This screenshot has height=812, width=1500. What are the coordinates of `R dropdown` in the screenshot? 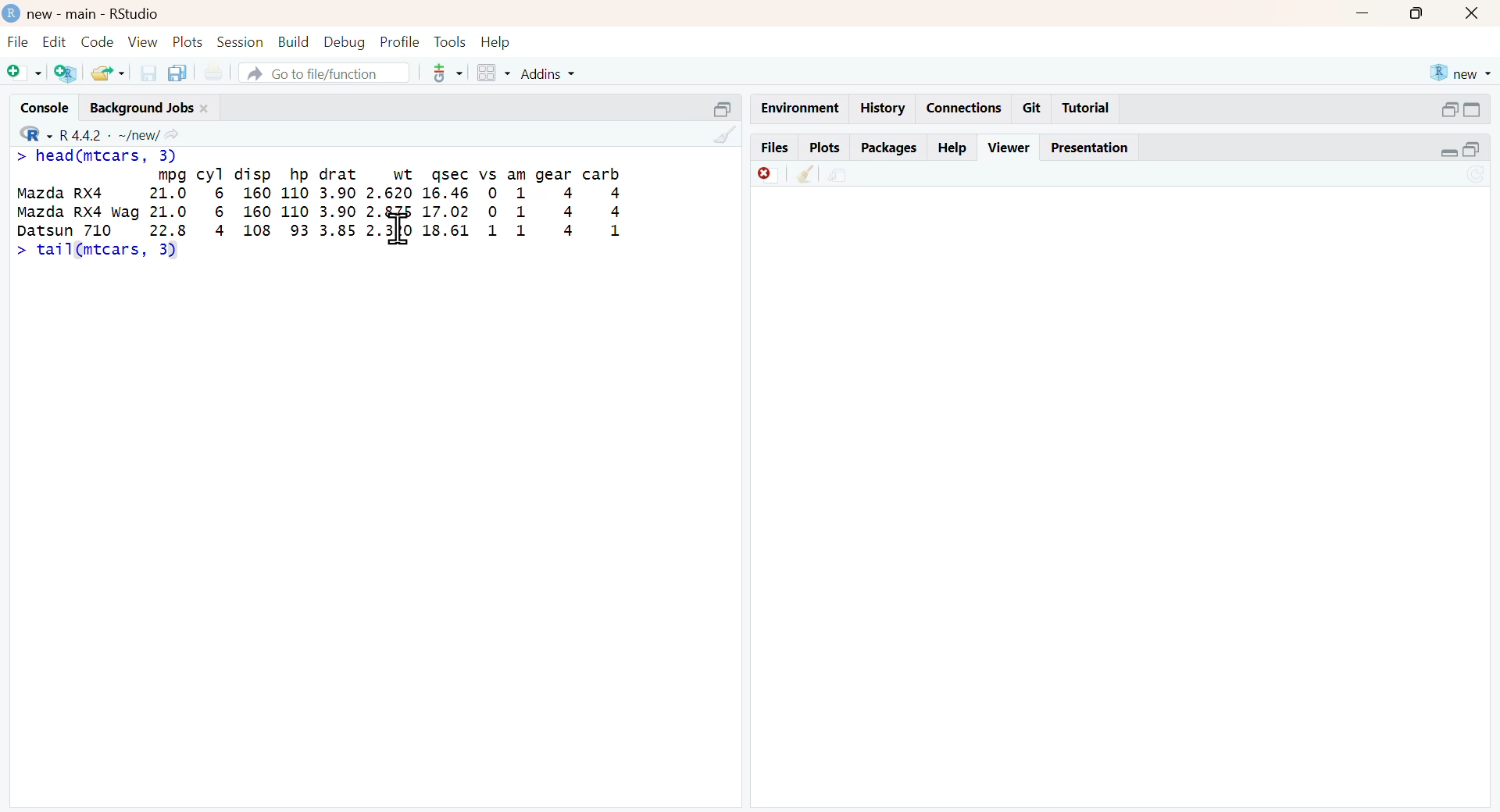 It's located at (20, 133).